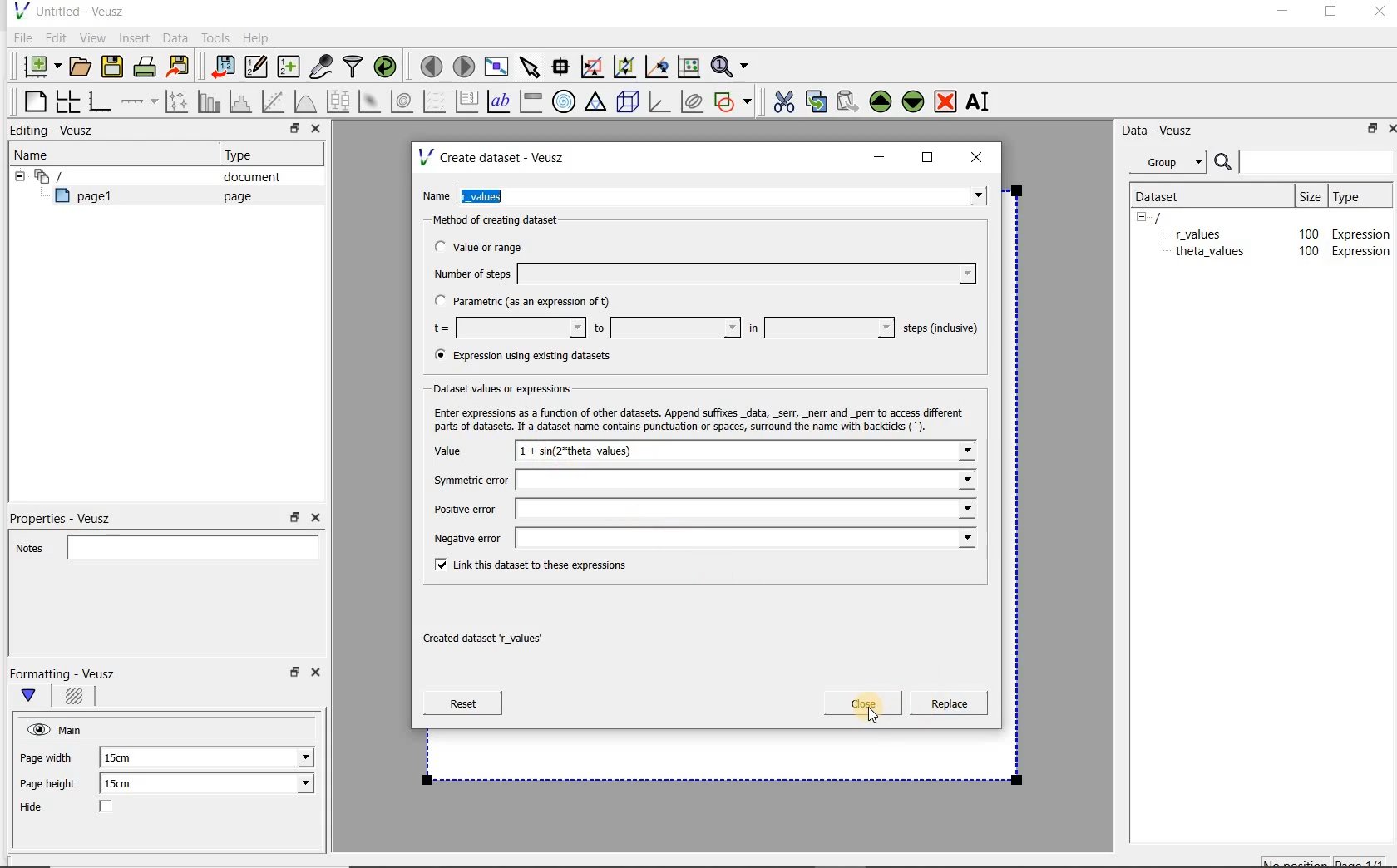  What do you see at coordinates (1331, 14) in the screenshot?
I see `maximize` at bounding box center [1331, 14].